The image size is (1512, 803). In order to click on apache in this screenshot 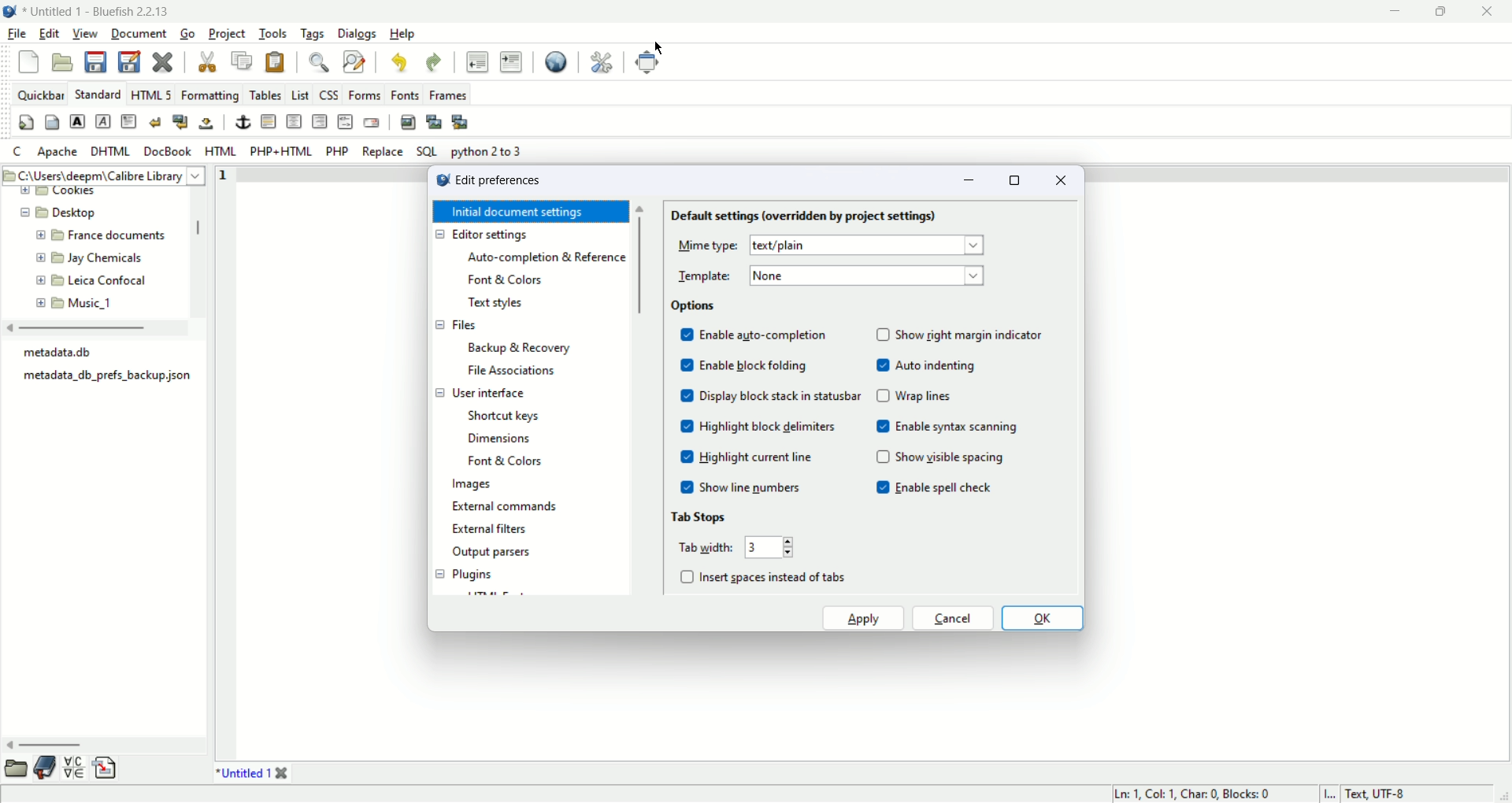, I will do `click(57, 150)`.